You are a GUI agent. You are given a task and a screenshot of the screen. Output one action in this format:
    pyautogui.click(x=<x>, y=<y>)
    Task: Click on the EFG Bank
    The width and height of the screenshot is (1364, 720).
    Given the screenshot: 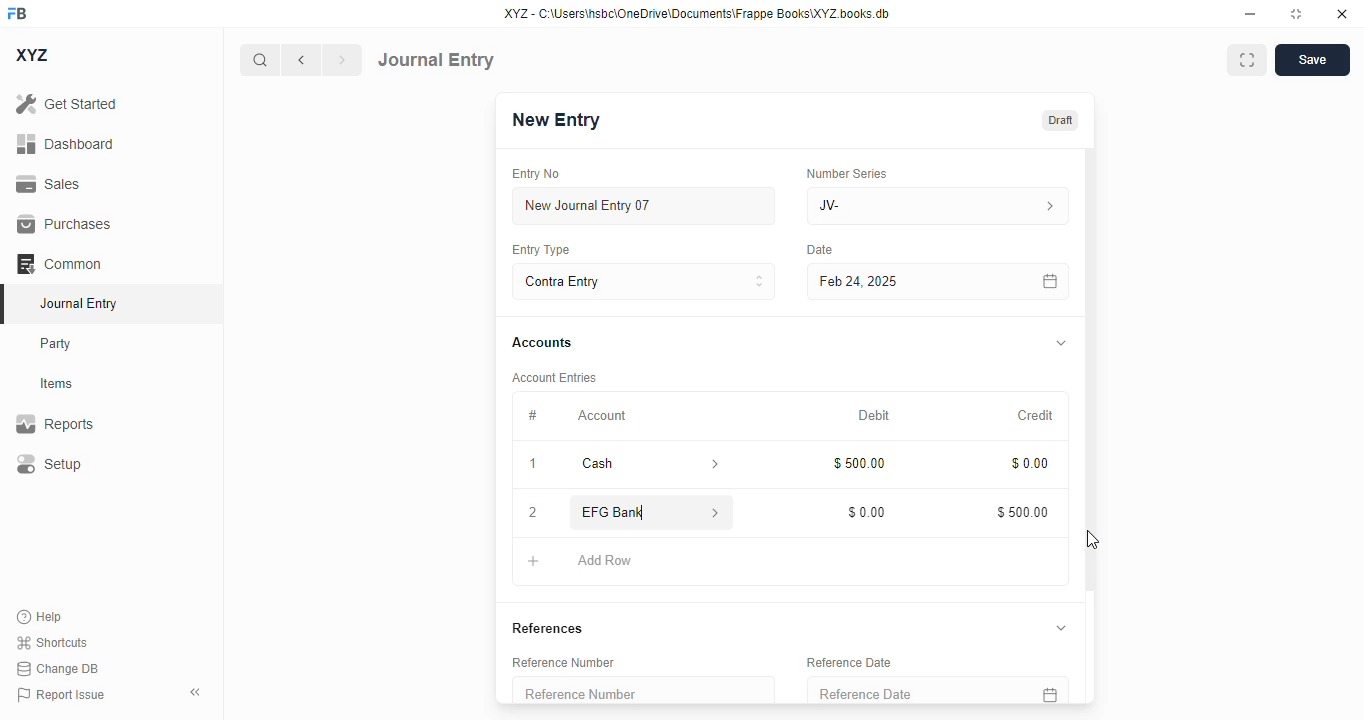 What is the action you would take?
    pyautogui.click(x=622, y=512)
    